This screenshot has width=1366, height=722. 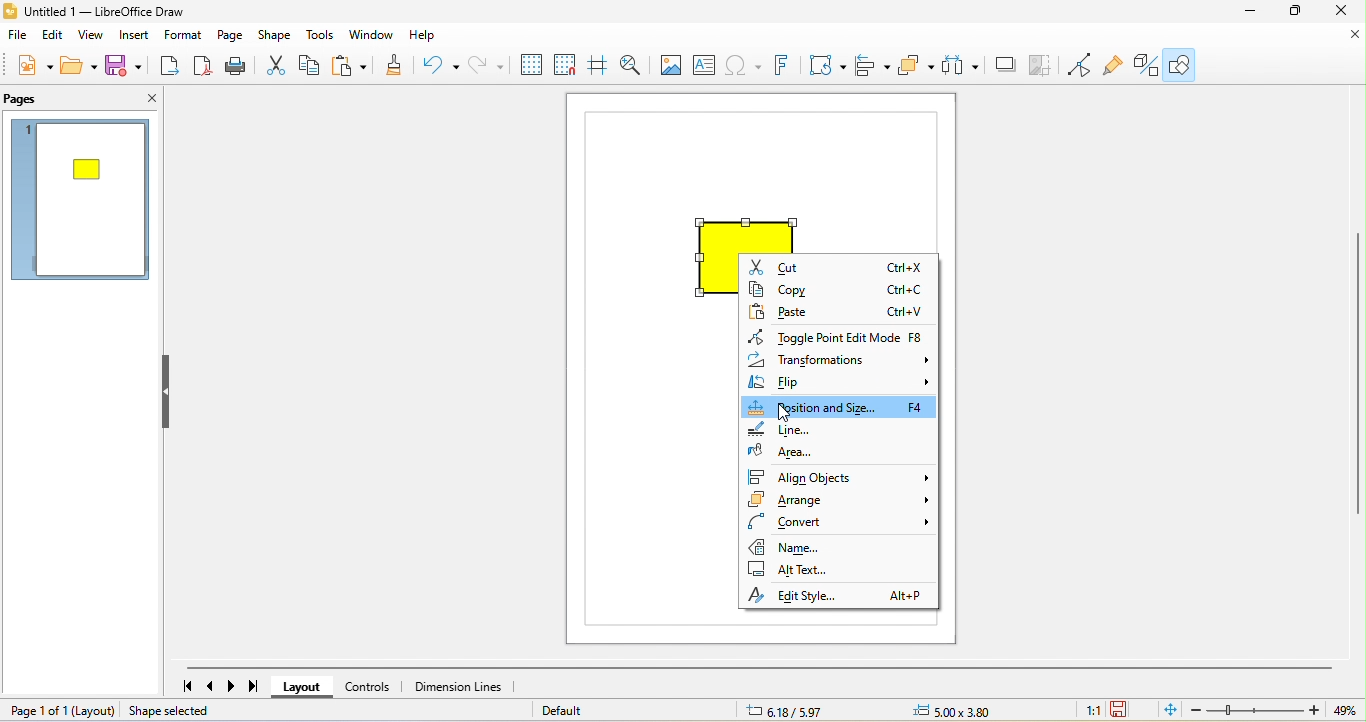 What do you see at coordinates (26, 100) in the screenshot?
I see `pags` at bounding box center [26, 100].